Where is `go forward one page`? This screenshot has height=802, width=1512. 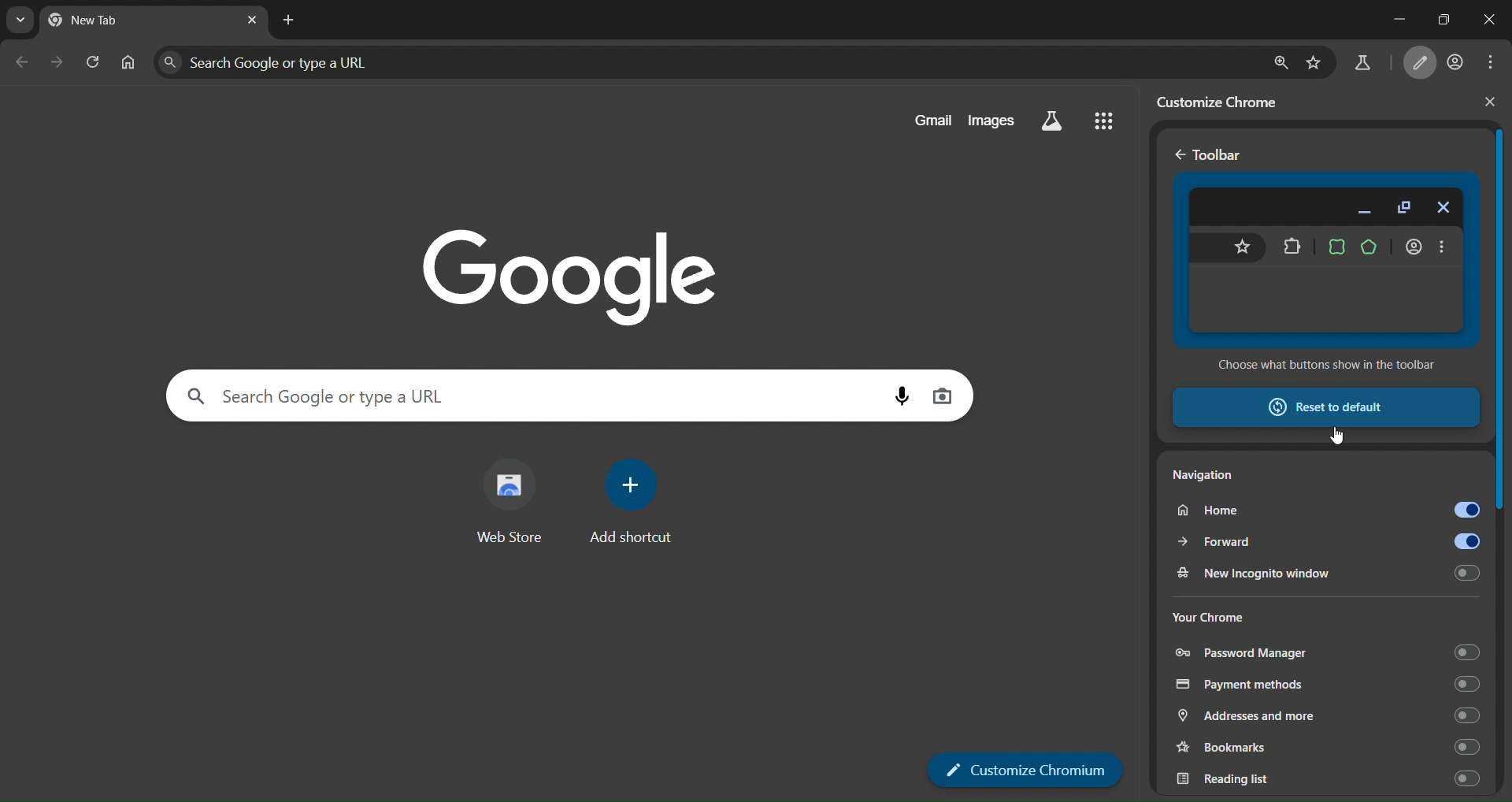
go forward one page is located at coordinates (57, 64).